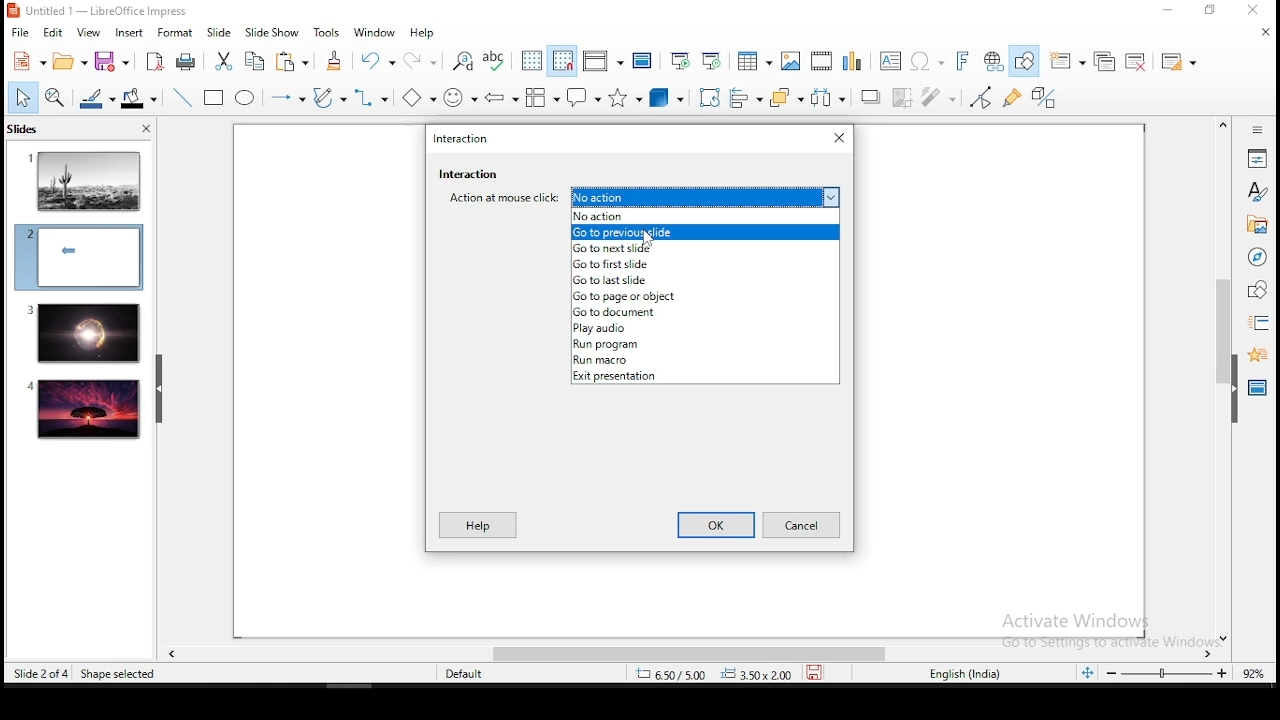  I want to click on lines and arrows, so click(287, 98).